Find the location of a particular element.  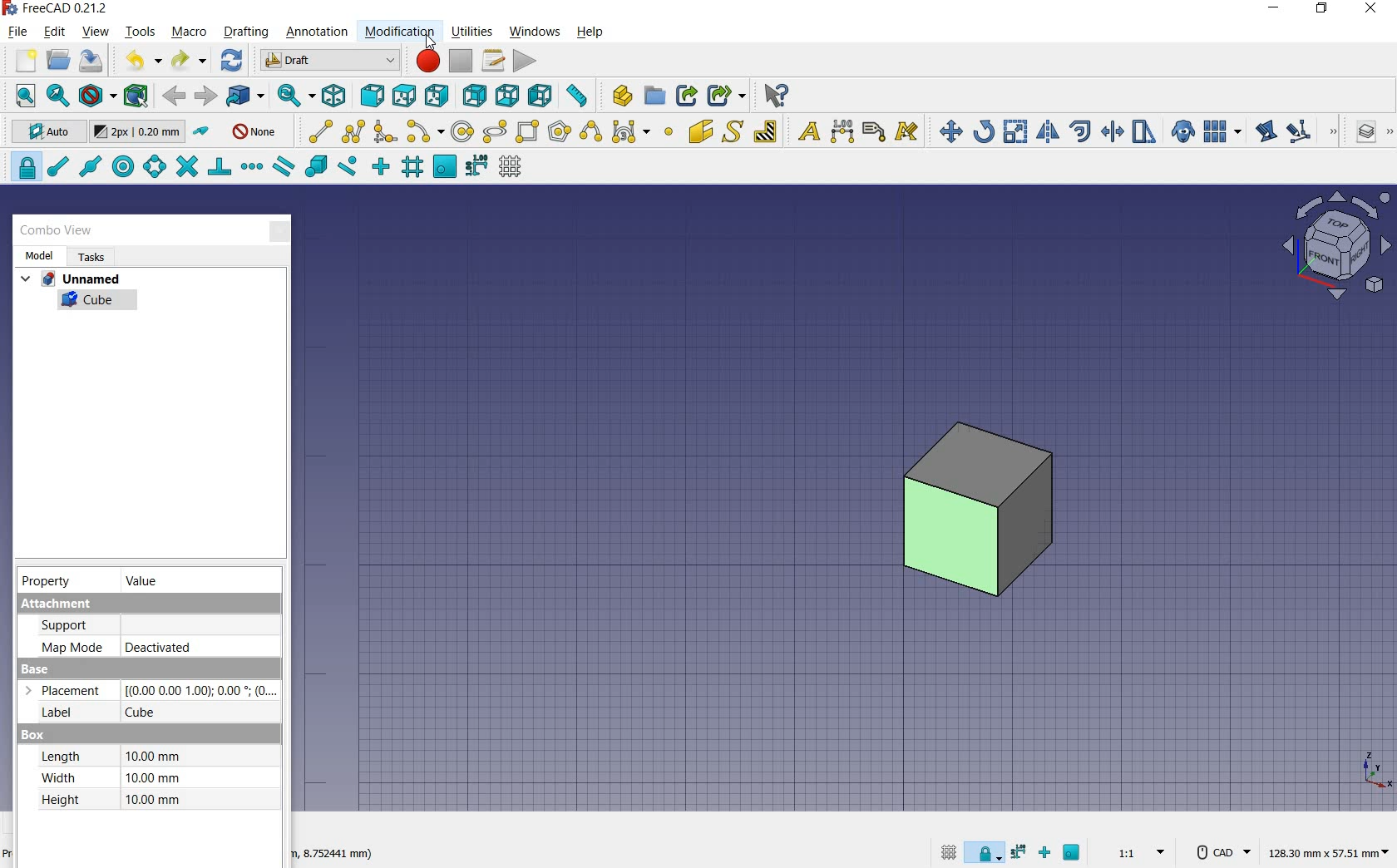

Box is located at coordinates (32, 735).